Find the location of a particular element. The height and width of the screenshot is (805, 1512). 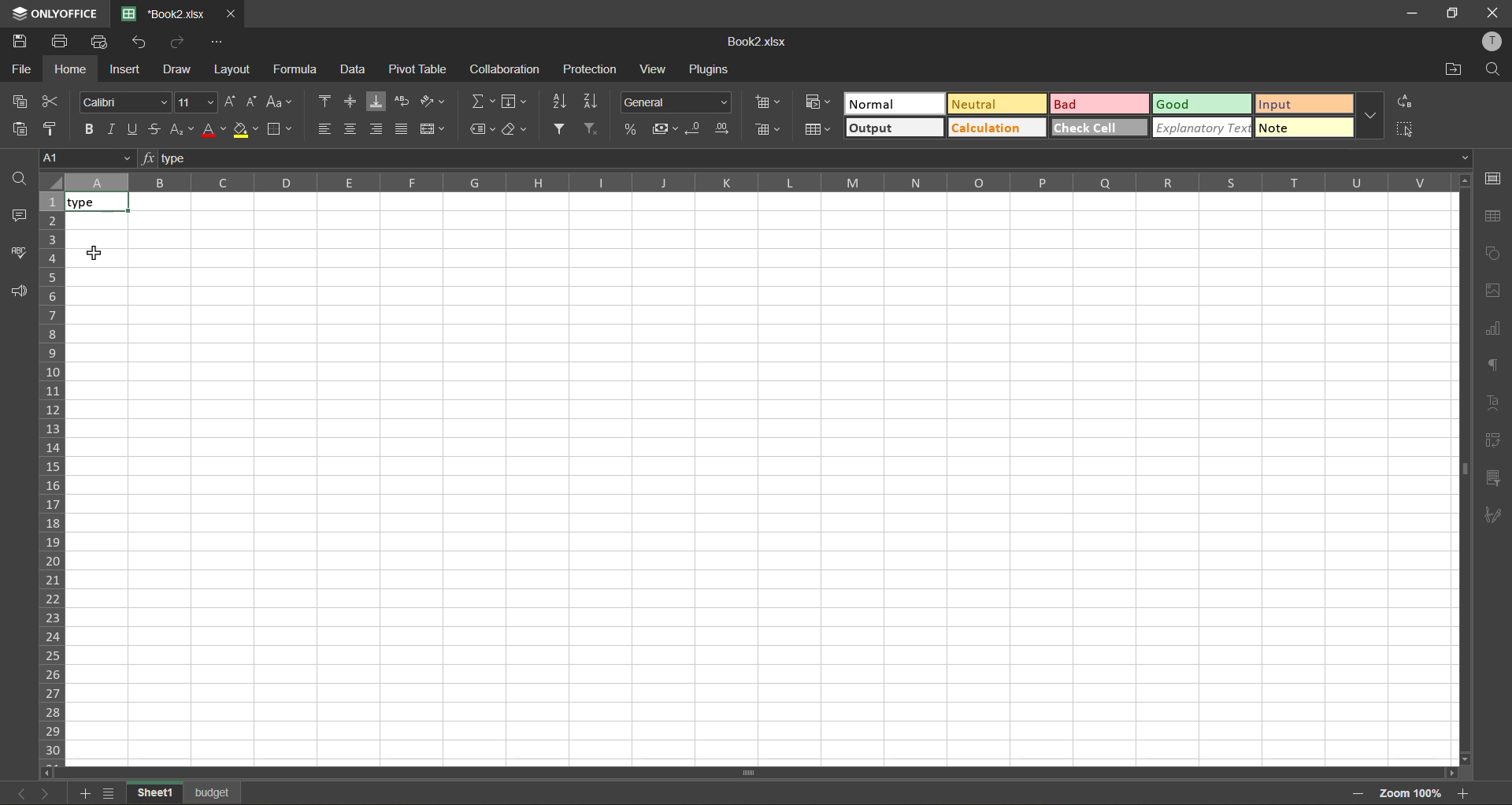

maximize is located at coordinates (1447, 15).